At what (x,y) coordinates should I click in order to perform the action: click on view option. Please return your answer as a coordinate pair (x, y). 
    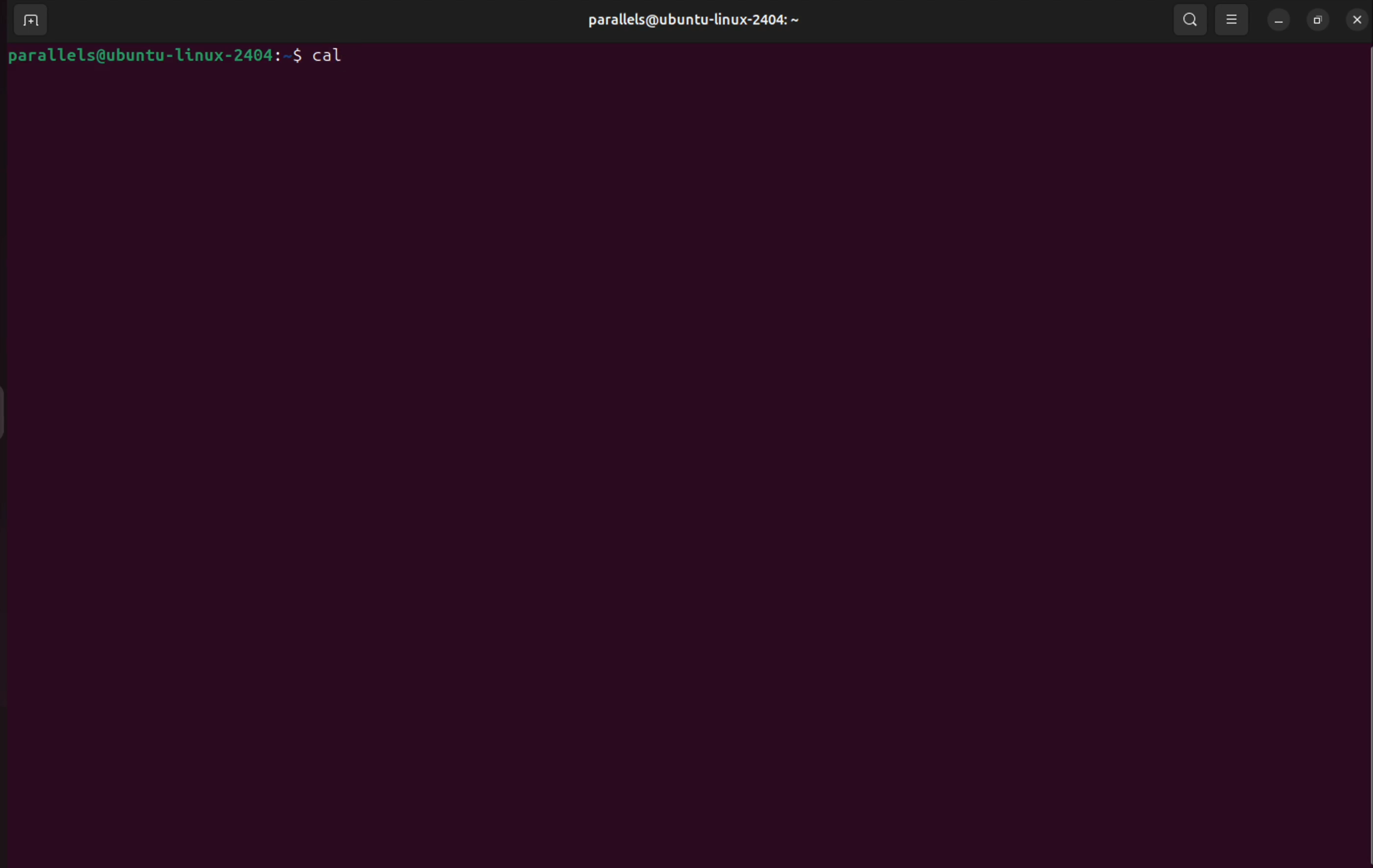
    Looking at the image, I should click on (1233, 22).